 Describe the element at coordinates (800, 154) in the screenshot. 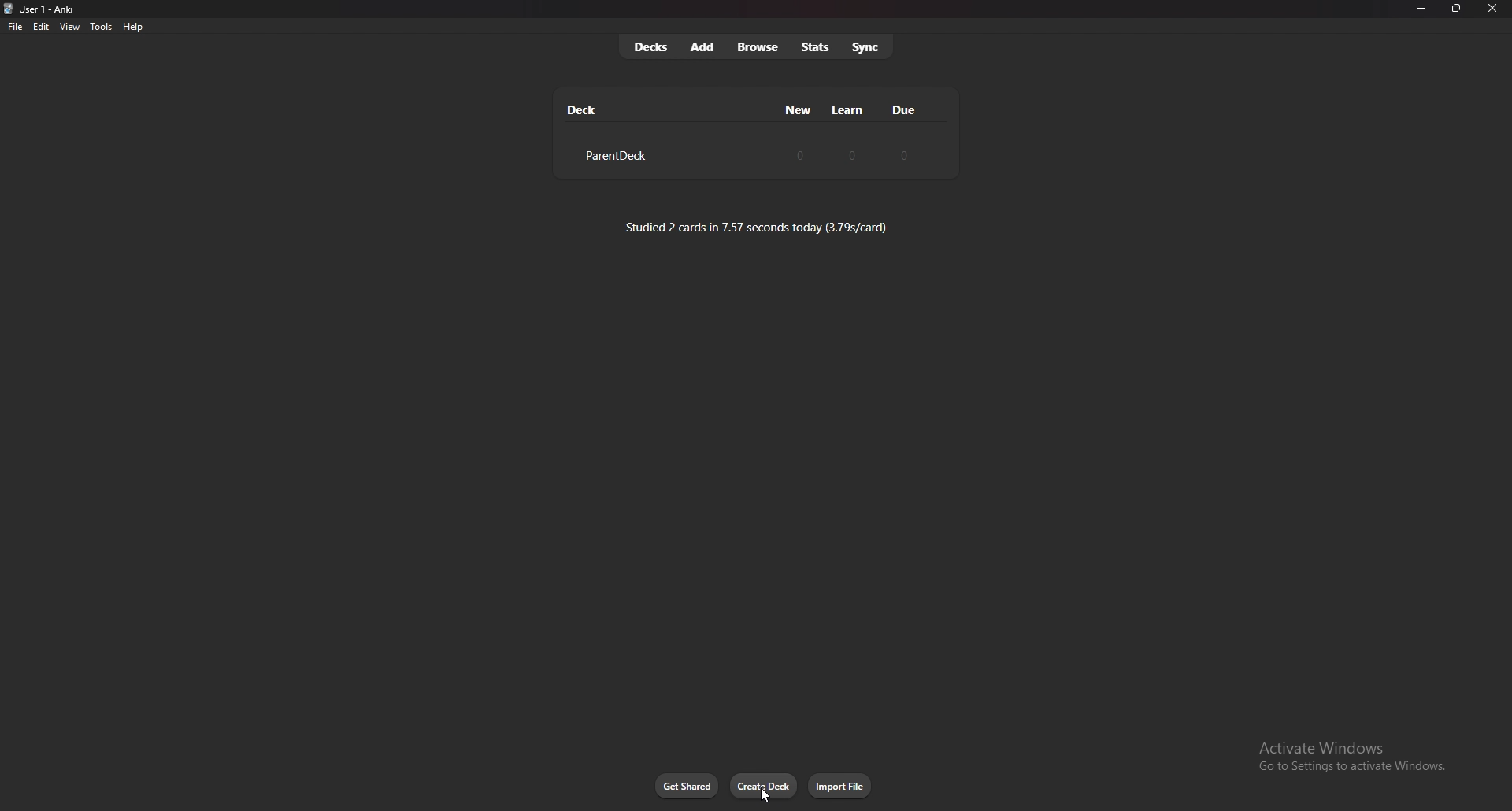

I see `0` at that location.